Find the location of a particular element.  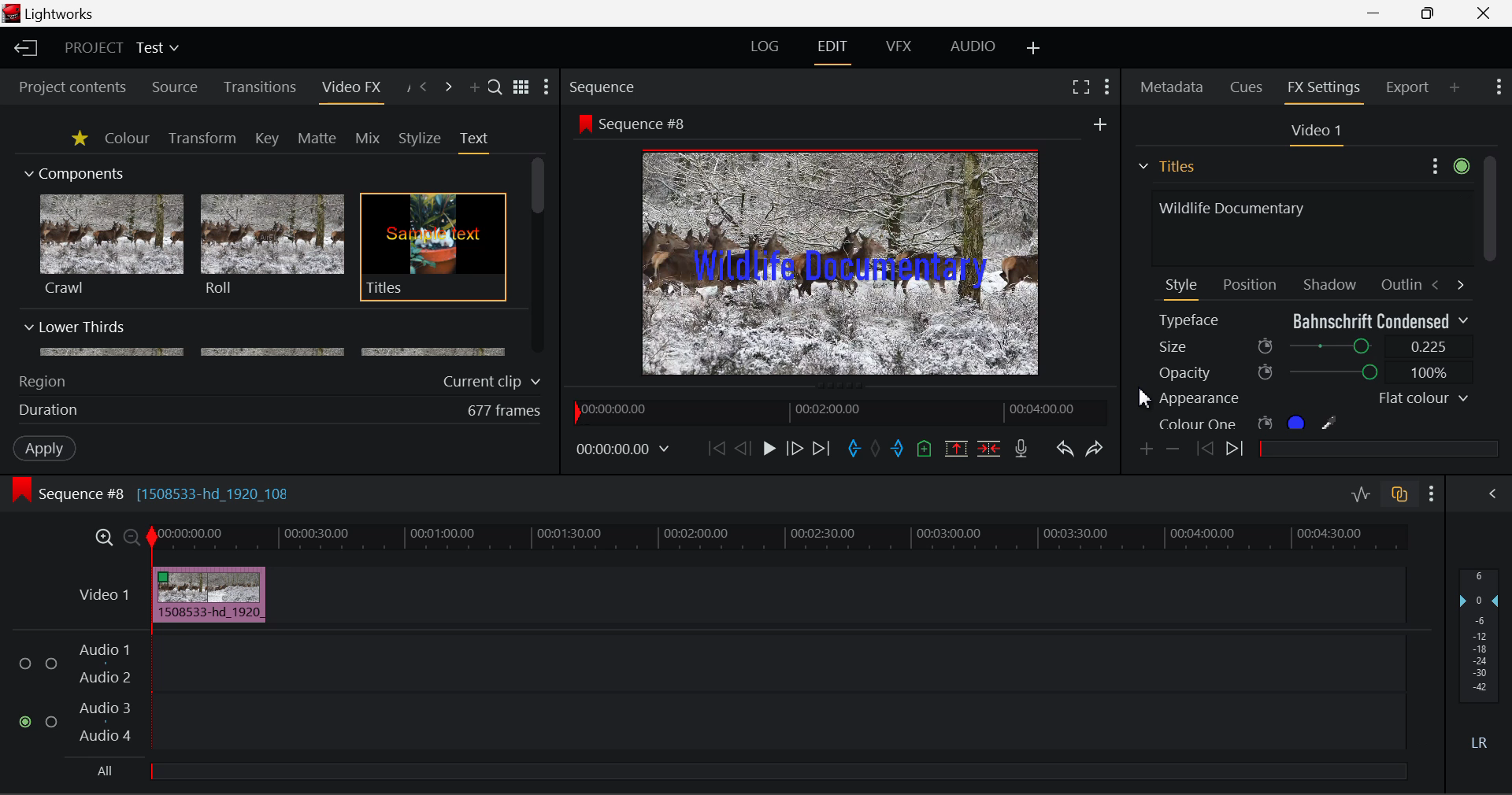

Add Panel is located at coordinates (1455, 87).